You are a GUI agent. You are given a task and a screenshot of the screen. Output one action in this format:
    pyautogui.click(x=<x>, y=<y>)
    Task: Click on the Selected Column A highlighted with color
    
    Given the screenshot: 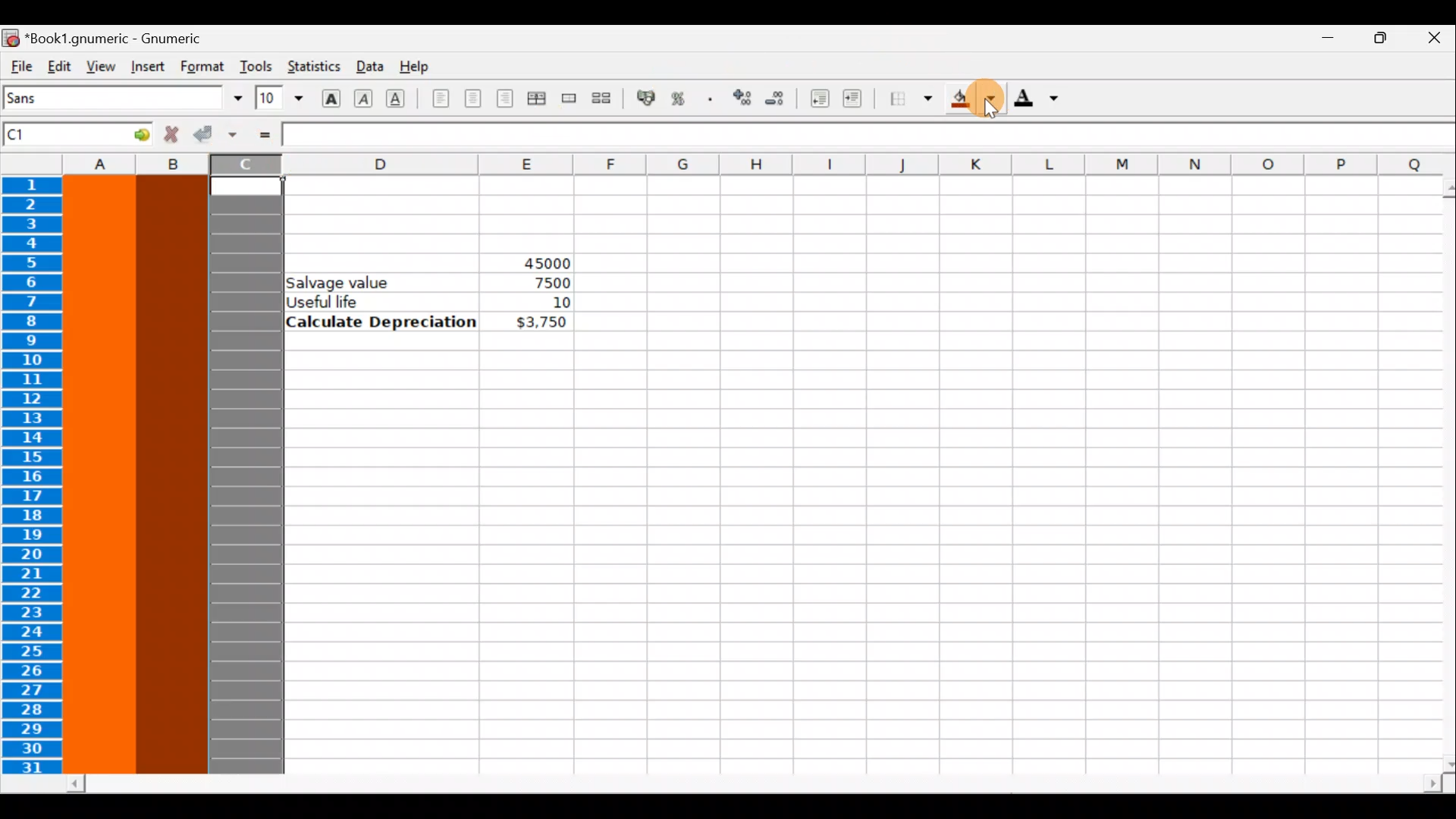 What is the action you would take?
    pyautogui.click(x=100, y=475)
    